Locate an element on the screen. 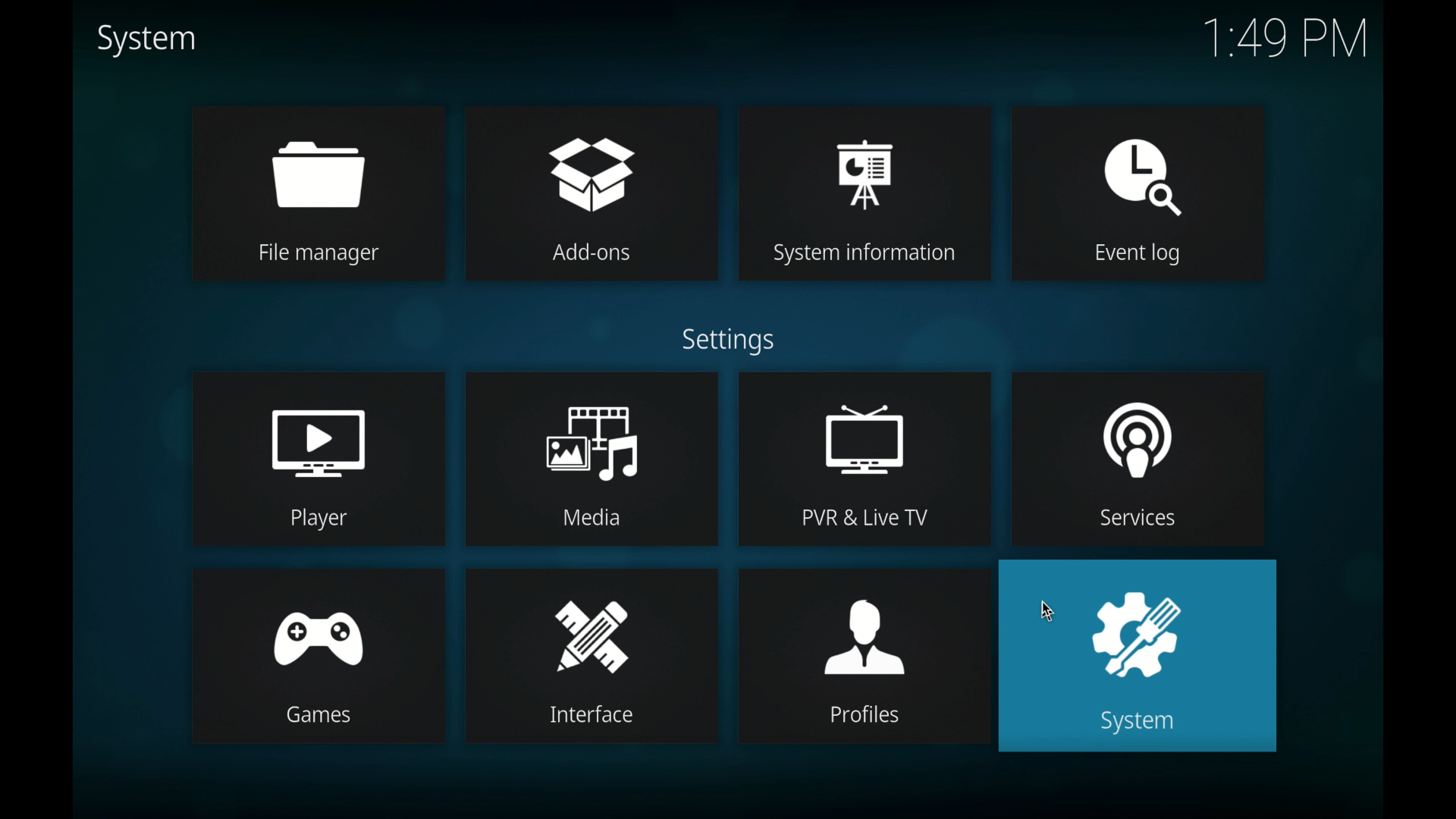 Image resolution: width=1456 pixels, height=819 pixels. add-ons is located at coordinates (588, 190).